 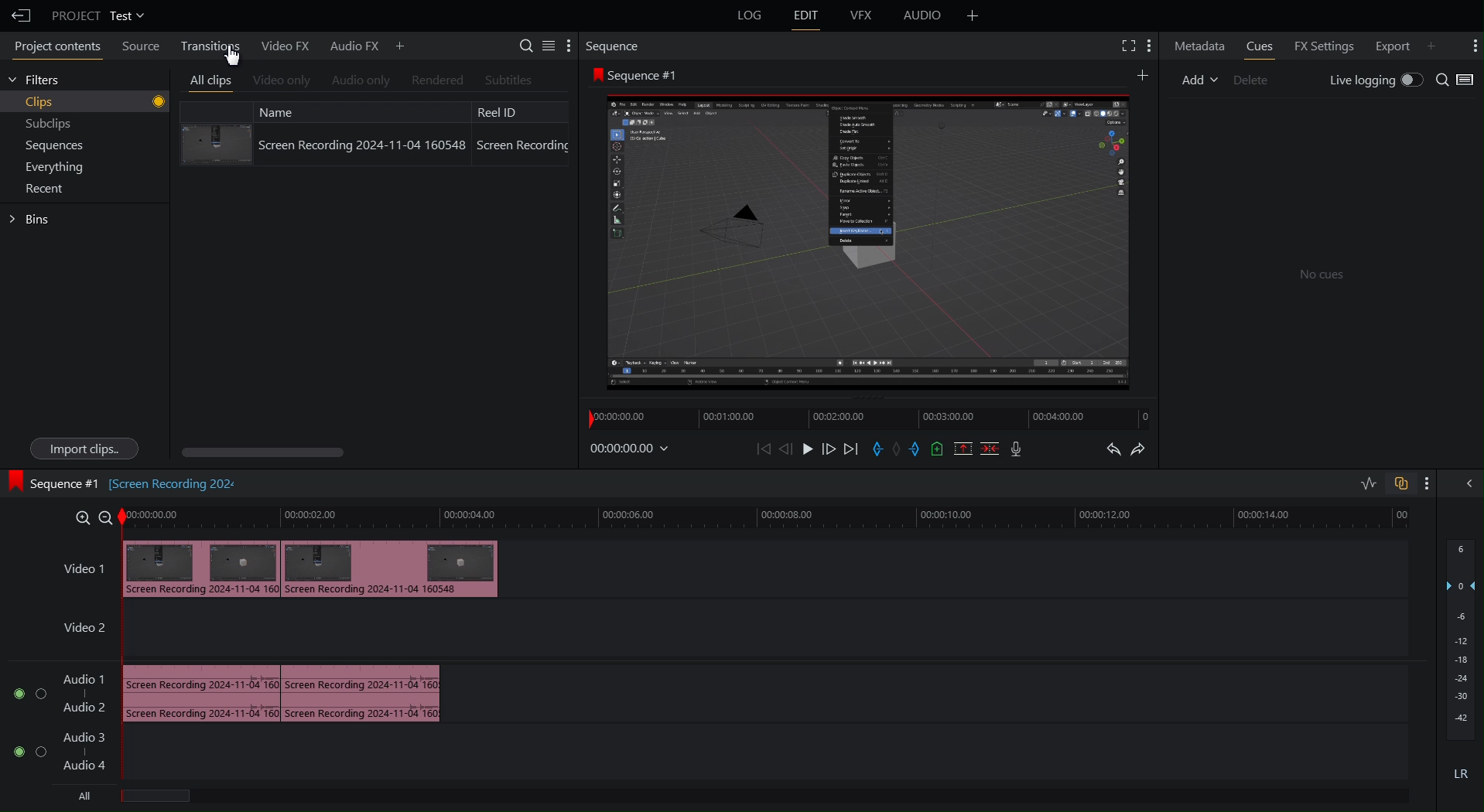 What do you see at coordinates (213, 134) in the screenshot?
I see `Clip` at bounding box center [213, 134].